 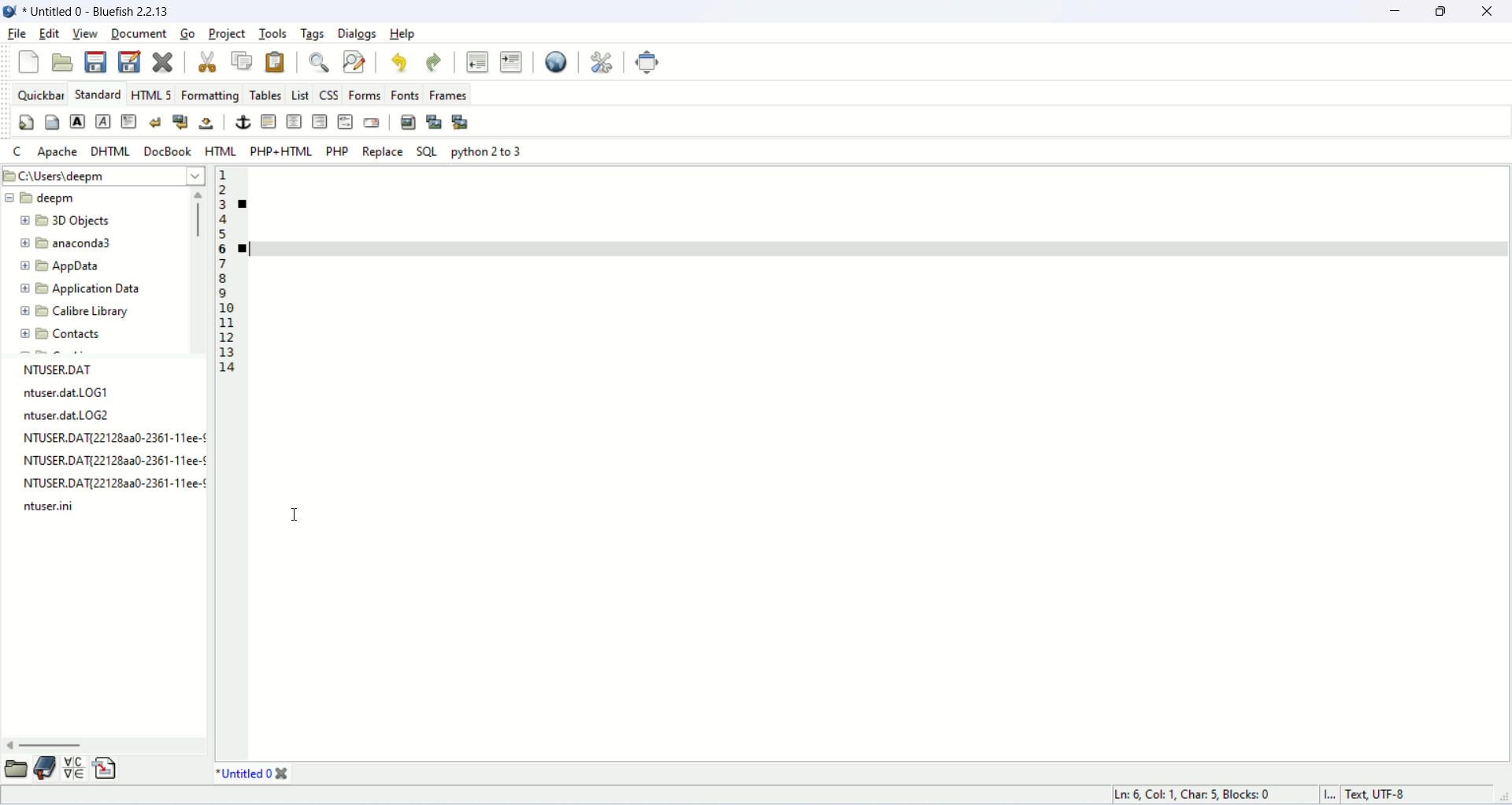 What do you see at coordinates (181, 121) in the screenshot?
I see `break and clear` at bounding box center [181, 121].